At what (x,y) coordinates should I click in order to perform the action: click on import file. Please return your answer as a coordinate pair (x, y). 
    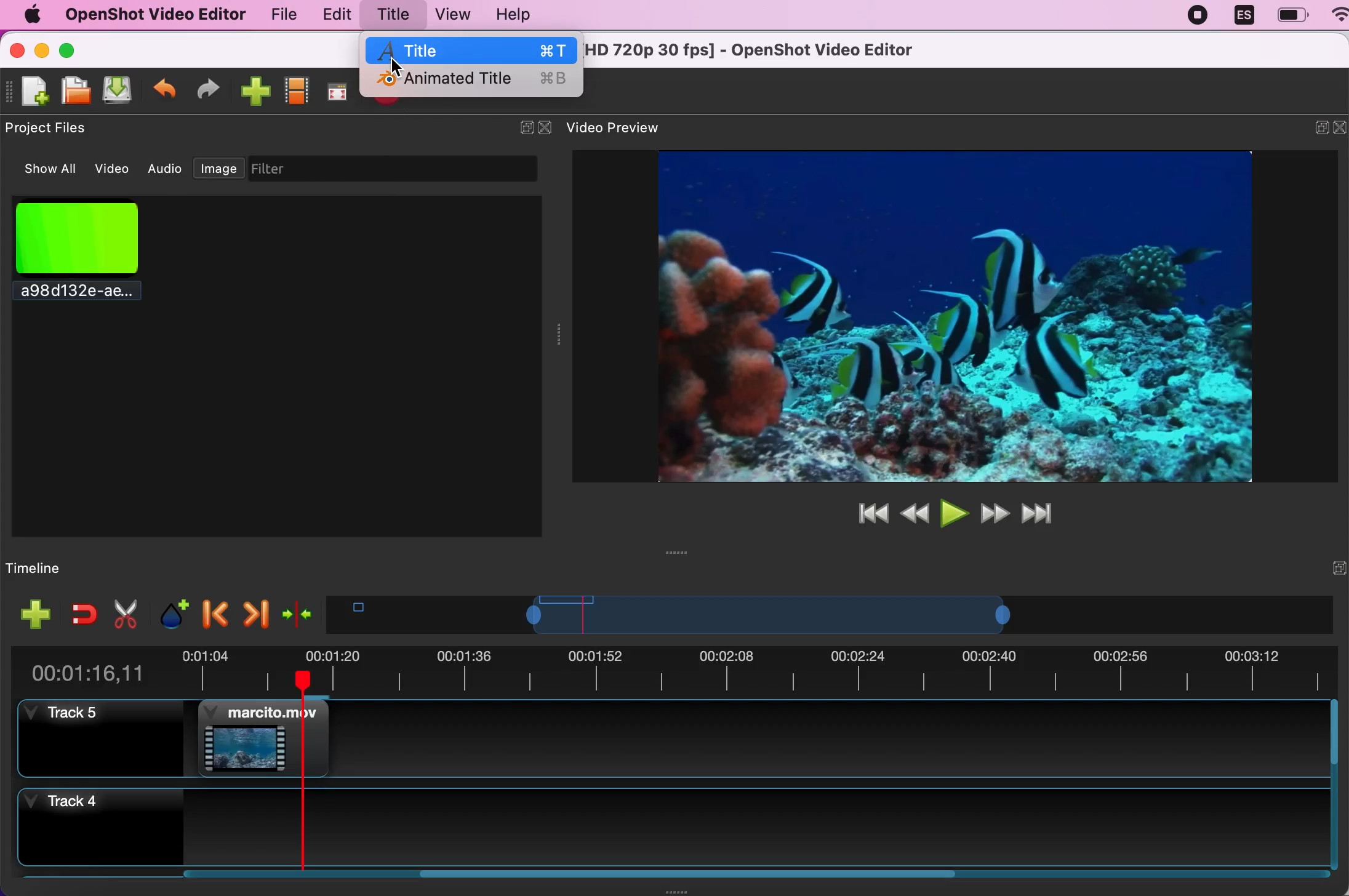
    Looking at the image, I should click on (255, 90).